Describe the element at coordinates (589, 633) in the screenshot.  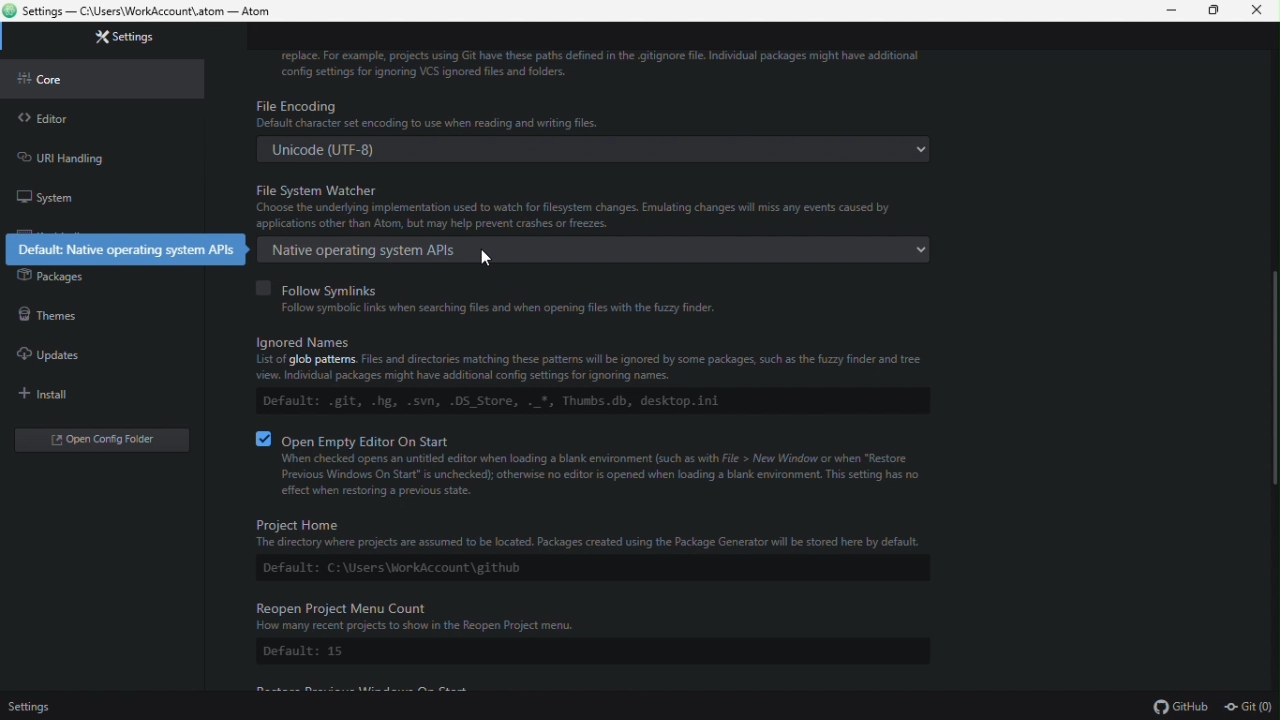
I see `ReOpen project menu count` at that location.